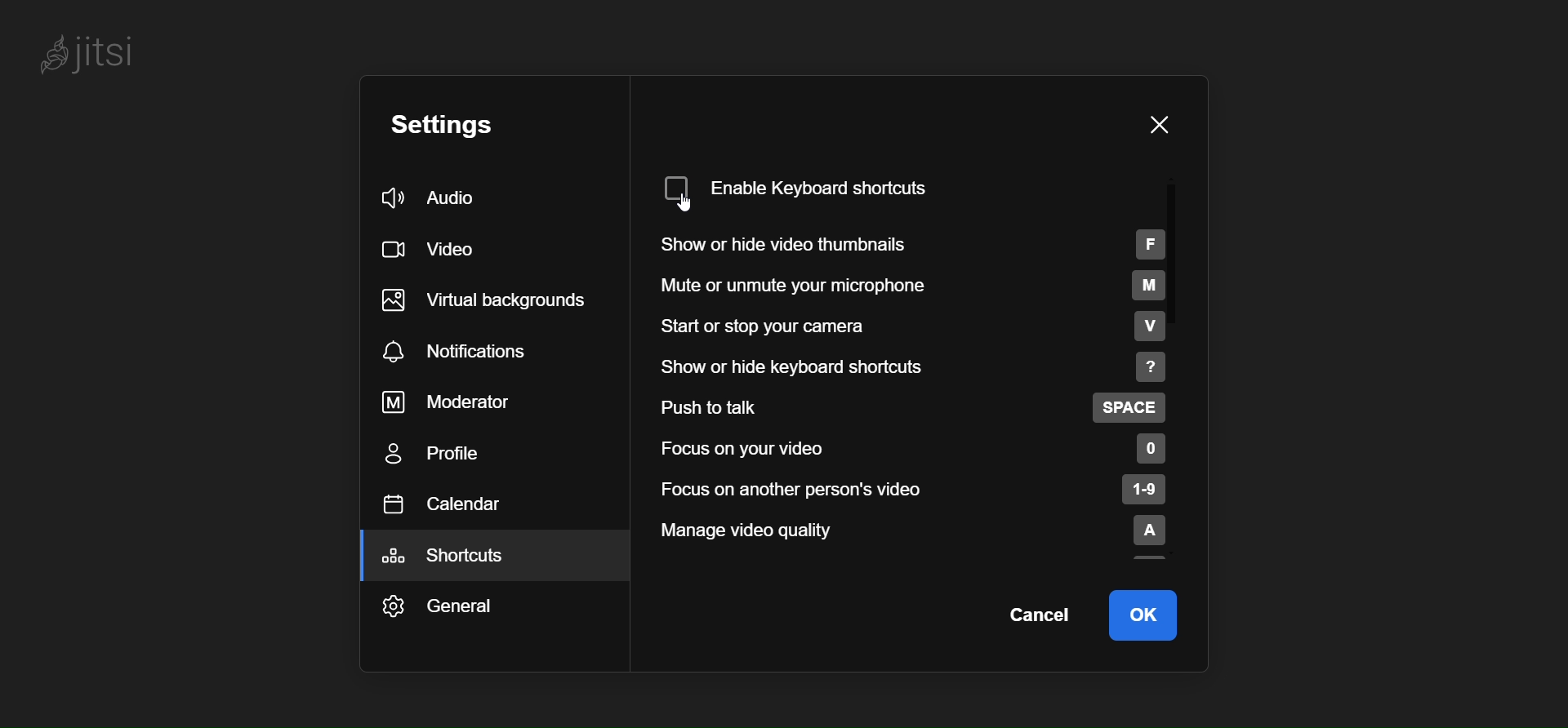  Describe the element at coordinates (465, 505) in the screenshot. I see `calendar` at that location.